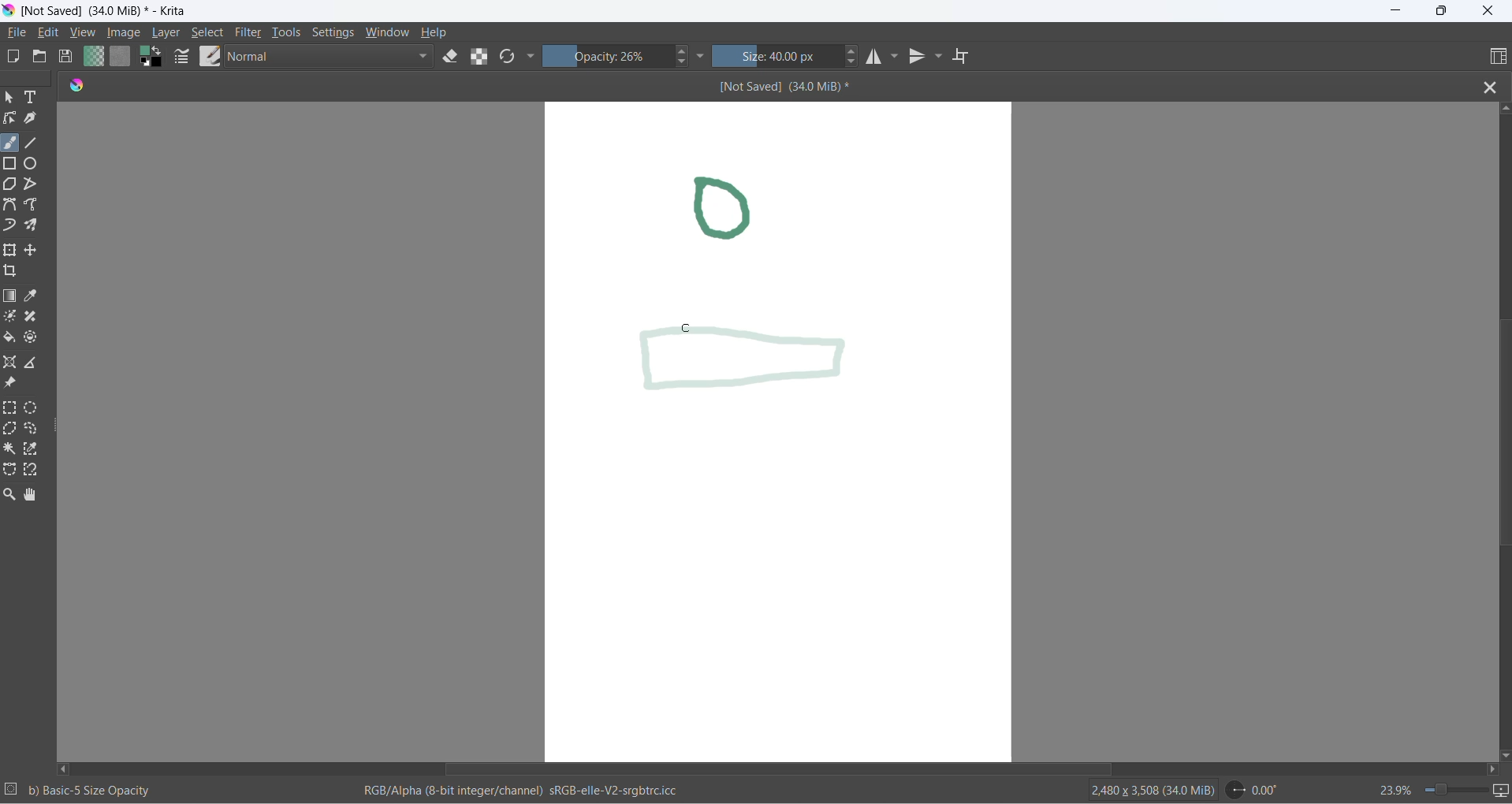 This screenshot has height=804, width=1512. Describe the element at coordinates (383, 33) in the screenshot. I see `window` at that location.